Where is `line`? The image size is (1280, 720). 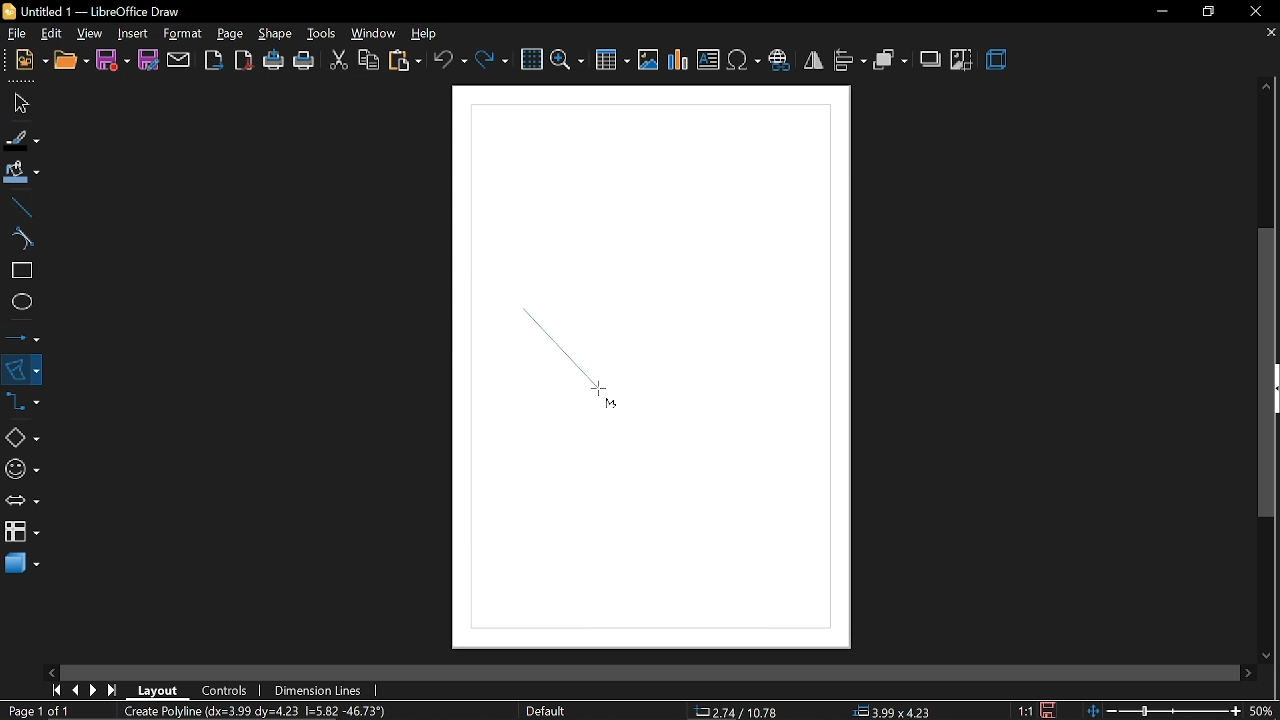
line is located at coordinates (19, 207).